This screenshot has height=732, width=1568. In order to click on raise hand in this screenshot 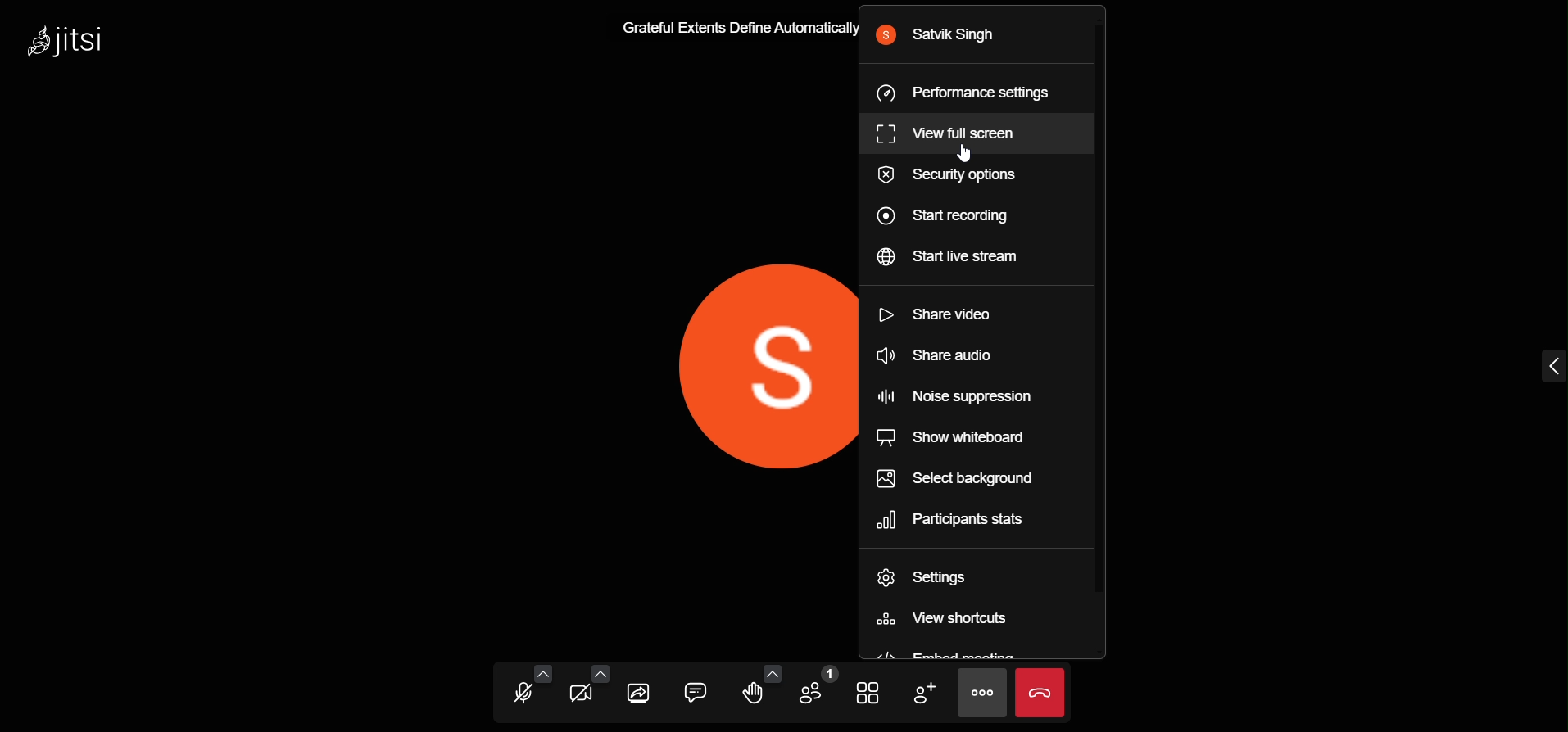, I will do `click(754, 697)`.